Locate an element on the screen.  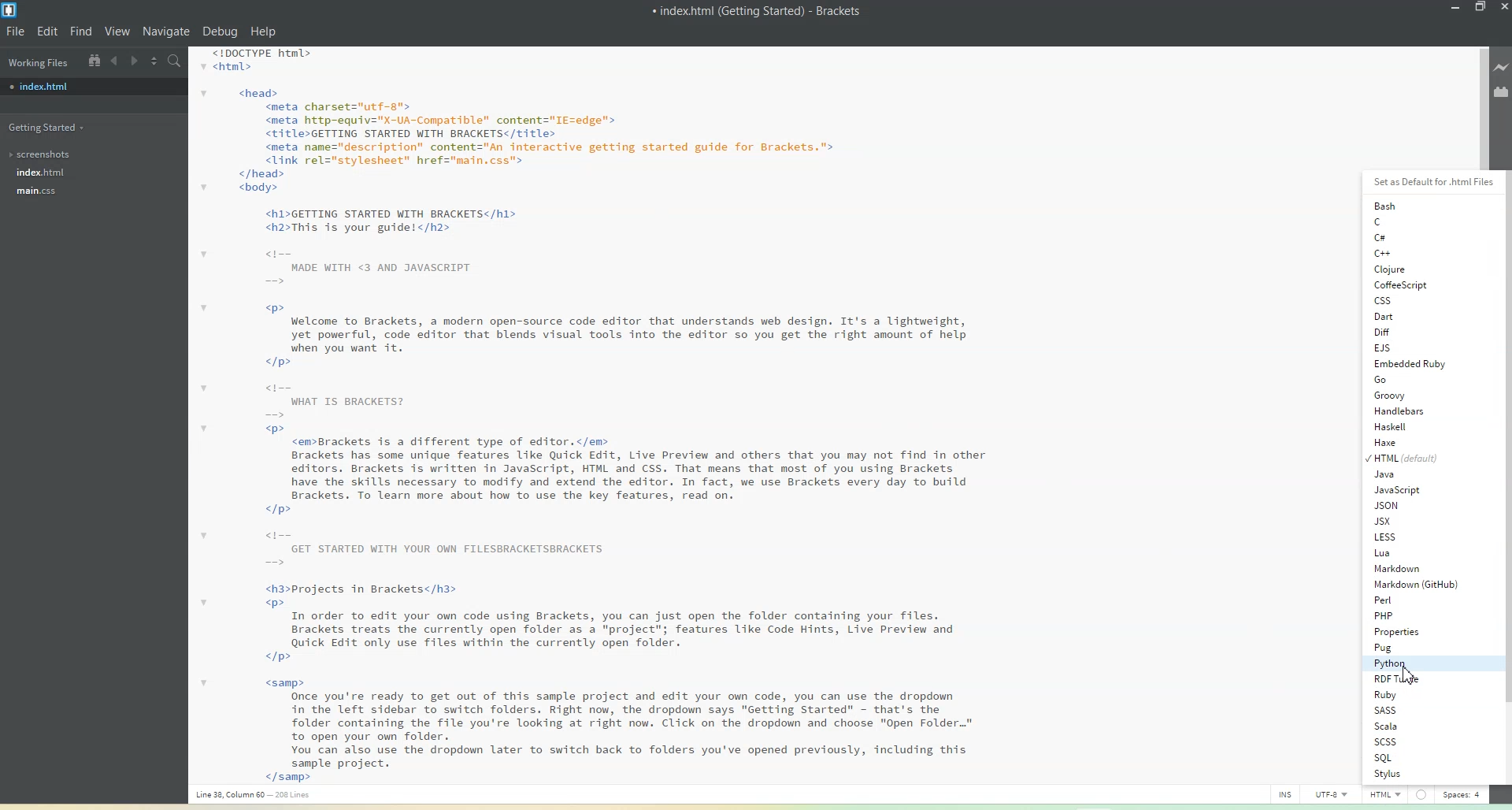
JSX is located at coordinates (1410, 522).